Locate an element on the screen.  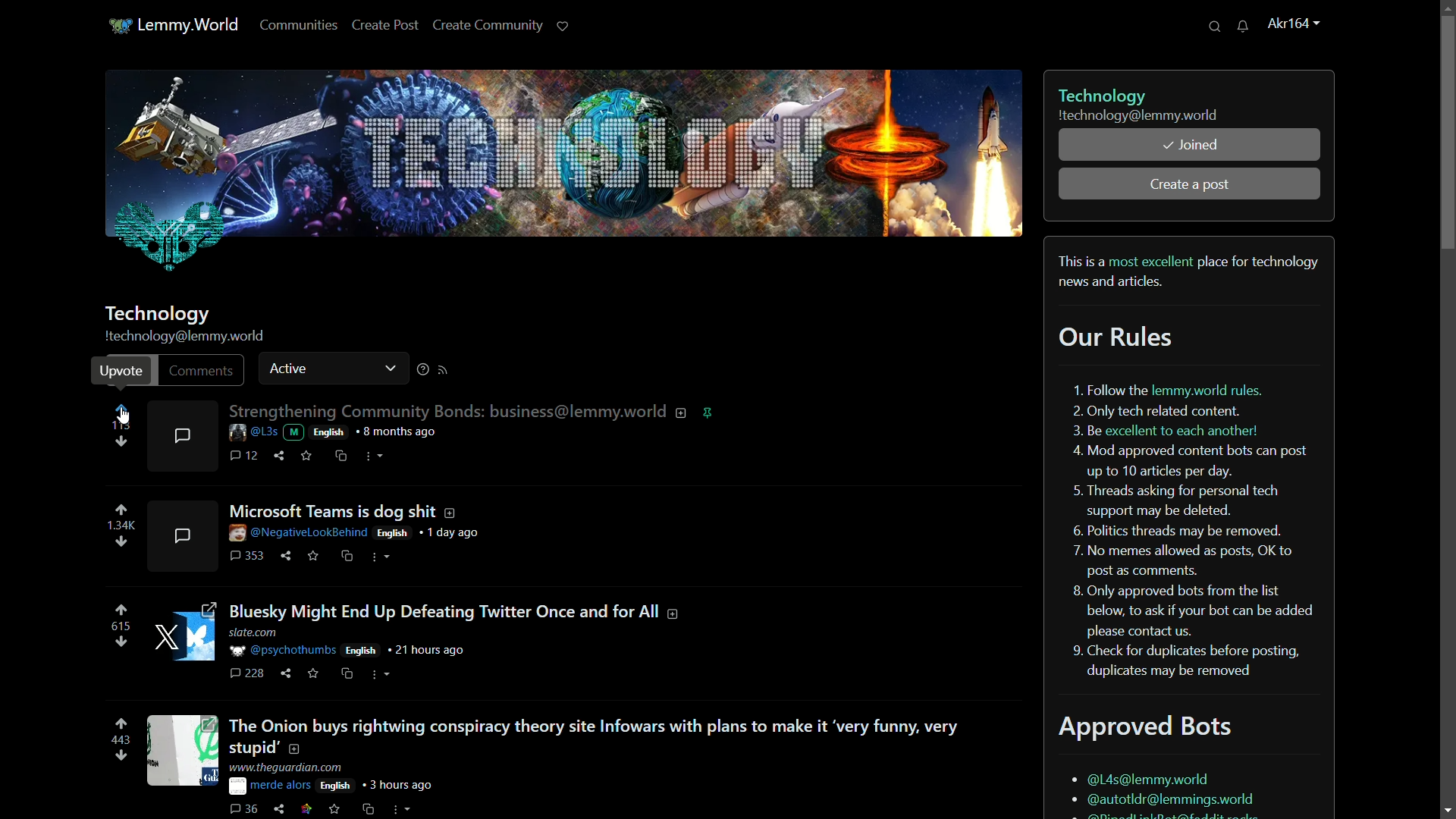
number of votes is located at coordinates (121, 739).